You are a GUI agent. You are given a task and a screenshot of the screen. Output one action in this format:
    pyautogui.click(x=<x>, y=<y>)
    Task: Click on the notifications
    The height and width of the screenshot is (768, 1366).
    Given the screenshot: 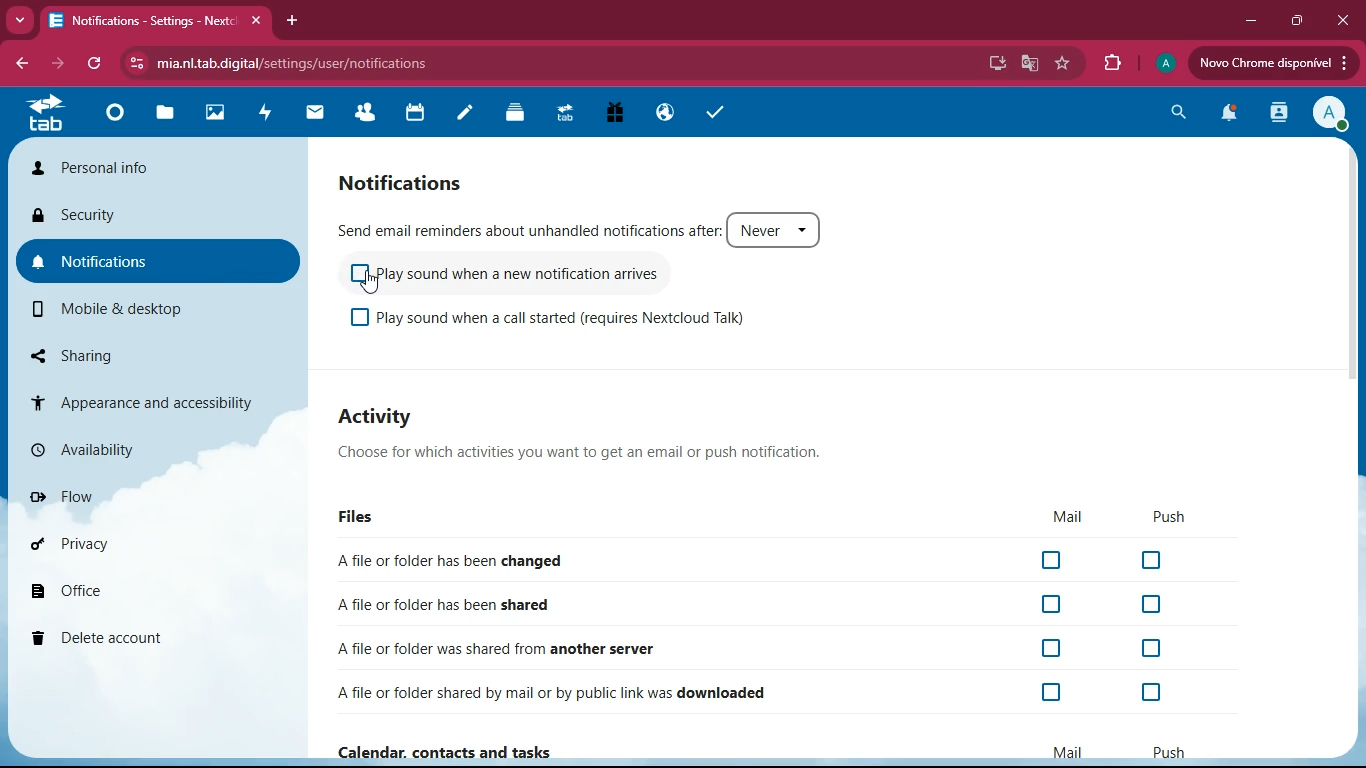 What is the action you would take?
    pyautogui.click(x=1224, y=116)
    